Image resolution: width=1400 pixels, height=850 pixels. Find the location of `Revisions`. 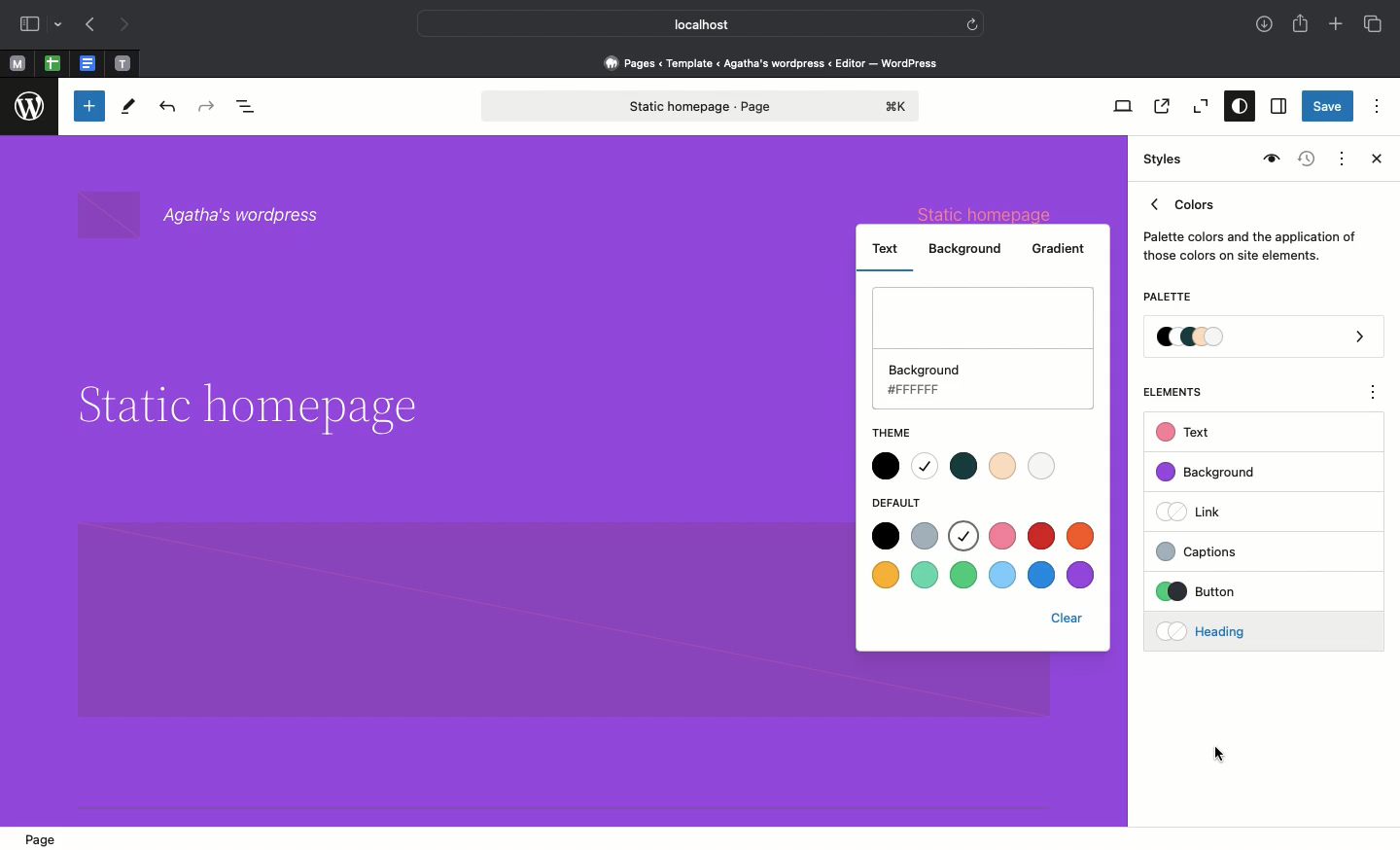

Revisions is located at coordinates (1304, 160).